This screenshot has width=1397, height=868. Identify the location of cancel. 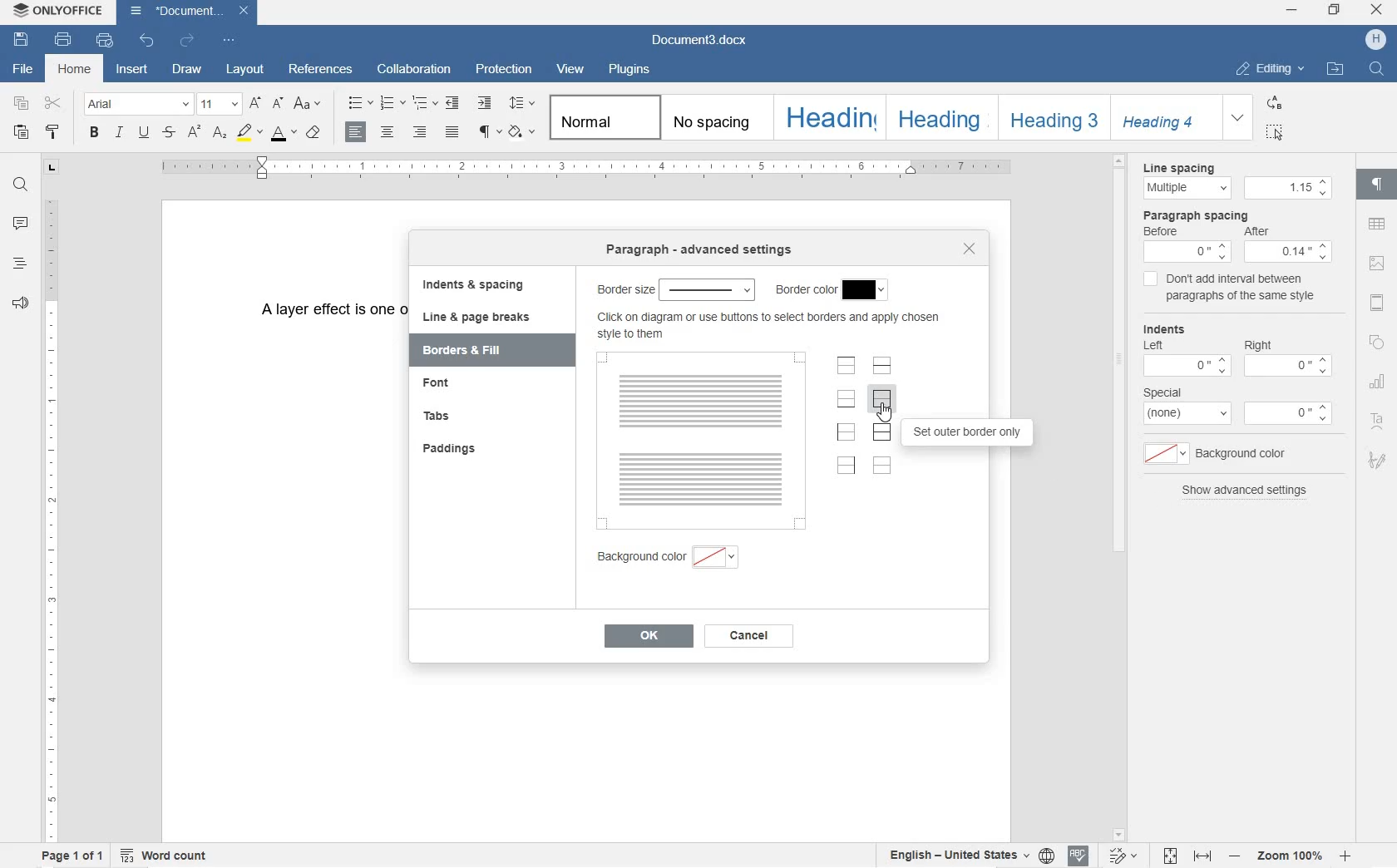
(747, 636).